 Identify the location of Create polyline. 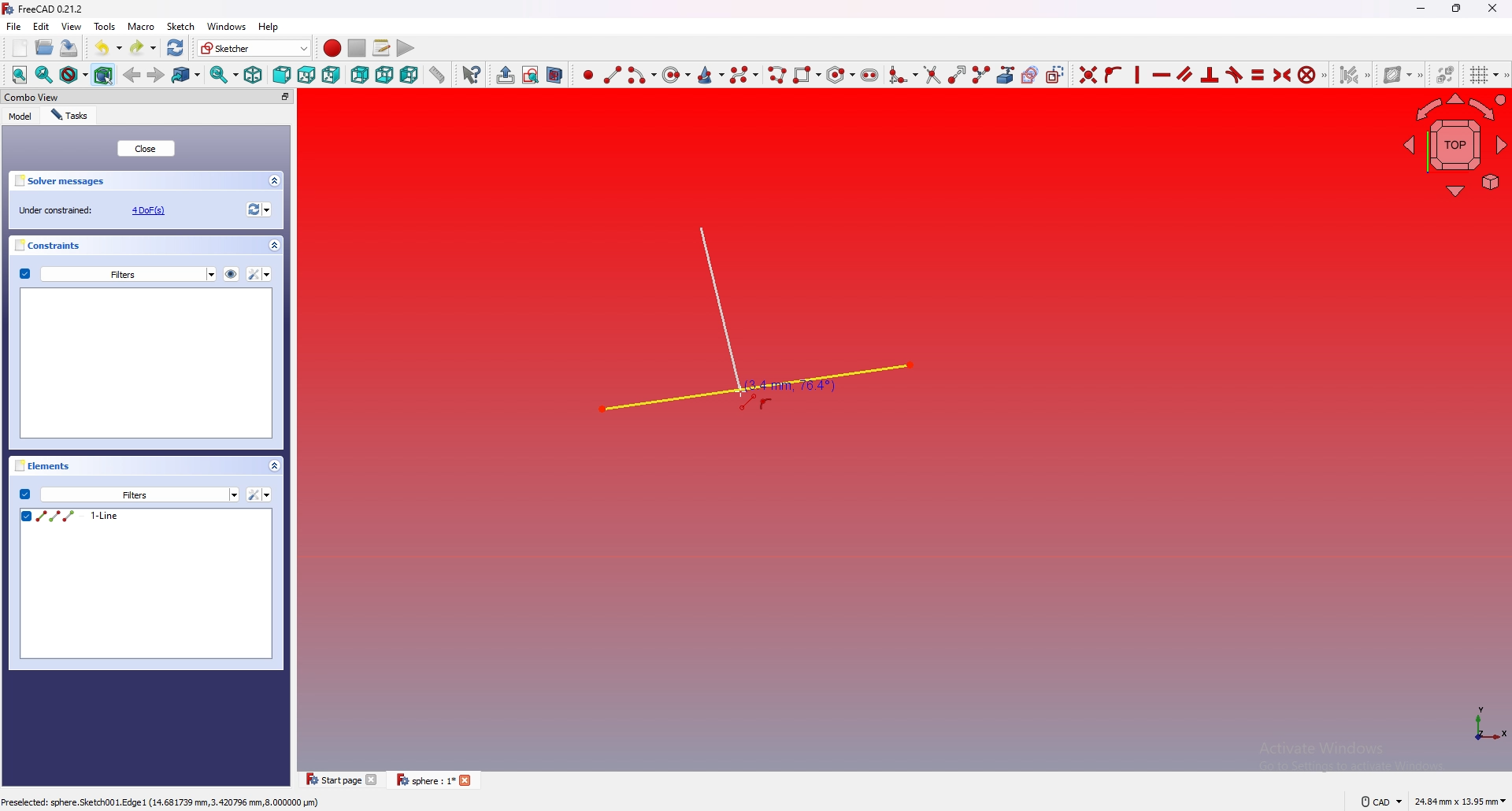
(776, 74).